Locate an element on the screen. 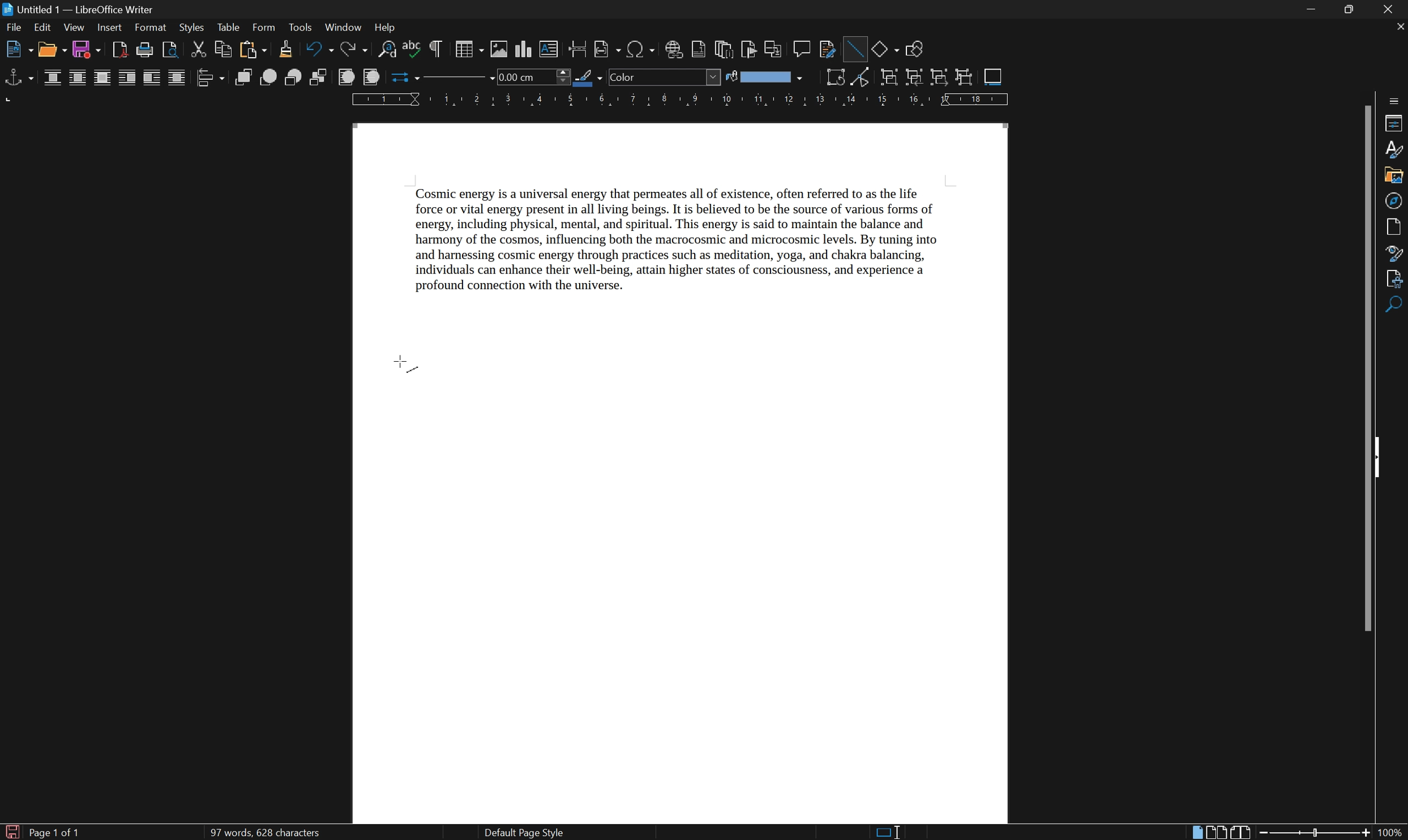 The height and width of the screenshot is (840, 1408). insert comment is located at coordinates (803, 48).